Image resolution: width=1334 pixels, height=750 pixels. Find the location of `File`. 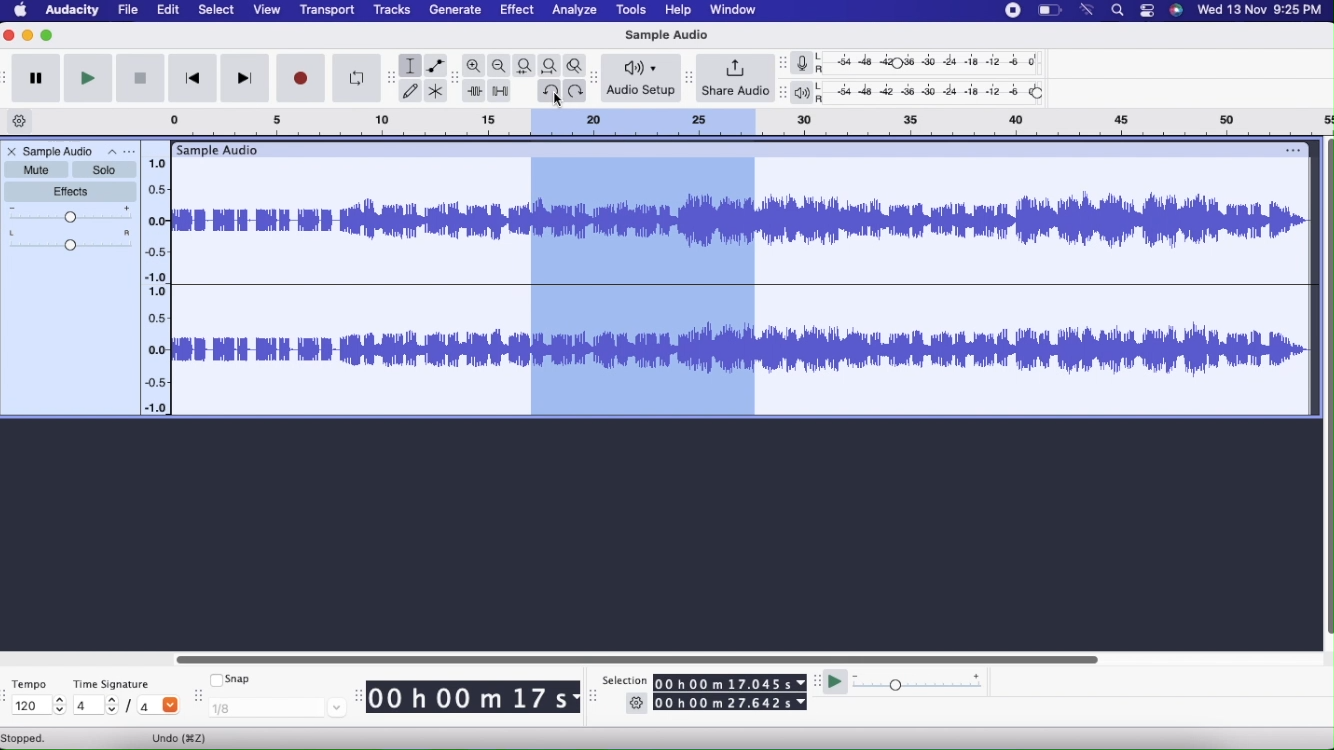

File is located at coordinates (129, 11).